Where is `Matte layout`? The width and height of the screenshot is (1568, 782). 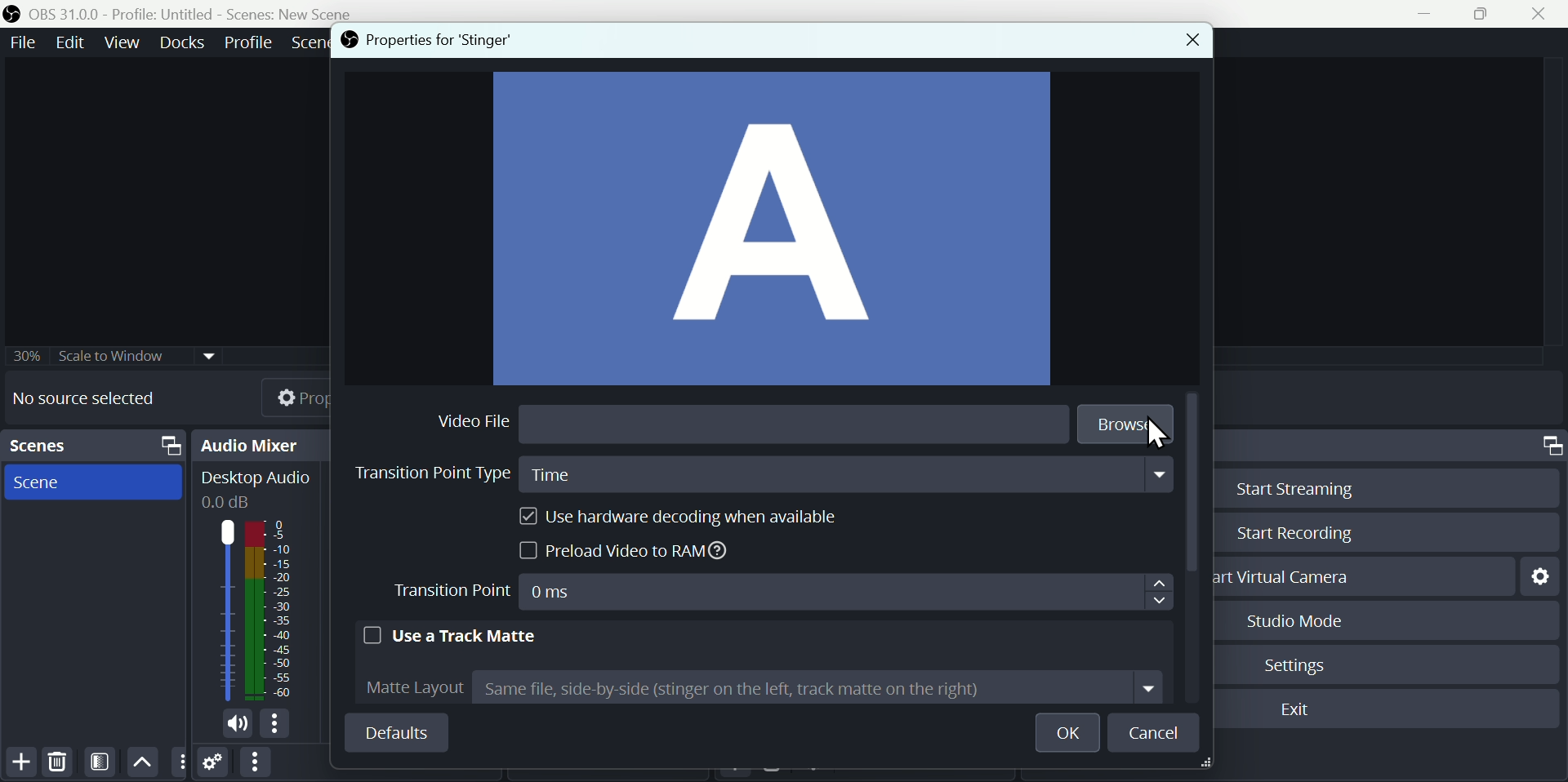 Matte layout is located at coordinates (407, 686).